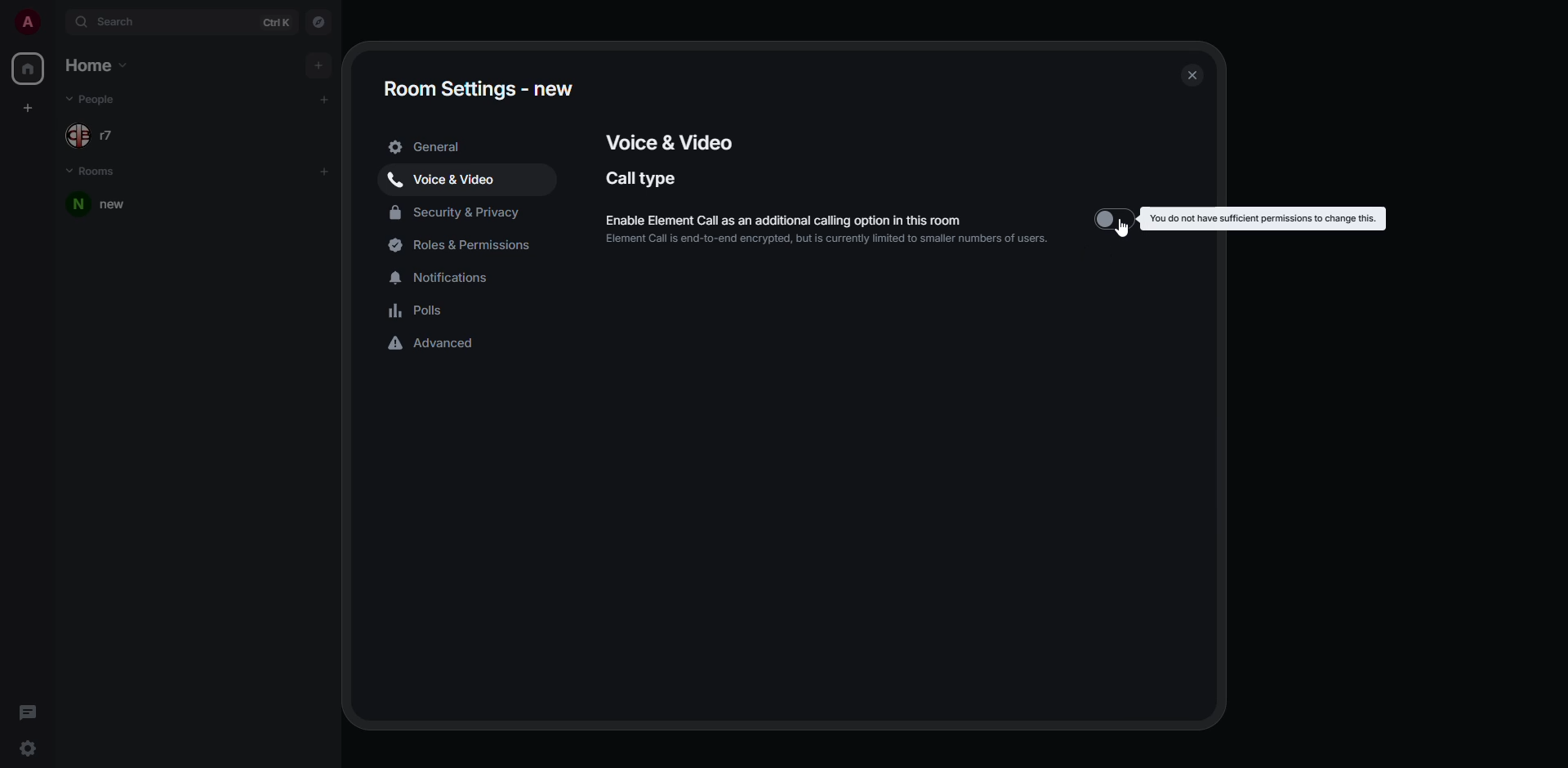  Describe the element at coordinates (95, 132) in the screenshot. I see `people` at that location.